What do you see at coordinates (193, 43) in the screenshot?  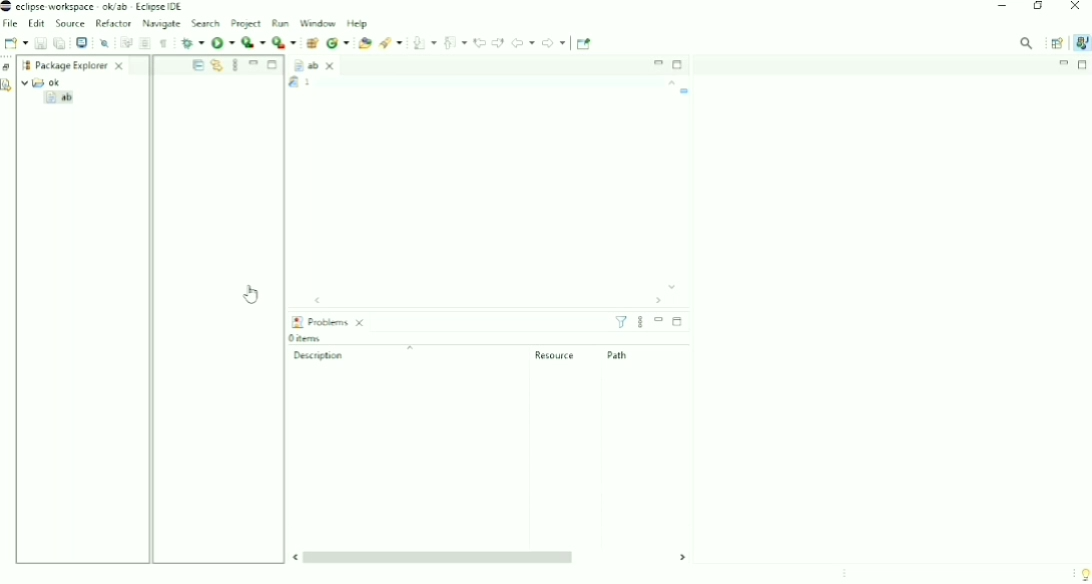 I see `Debug` at bounding box center [193, 43].